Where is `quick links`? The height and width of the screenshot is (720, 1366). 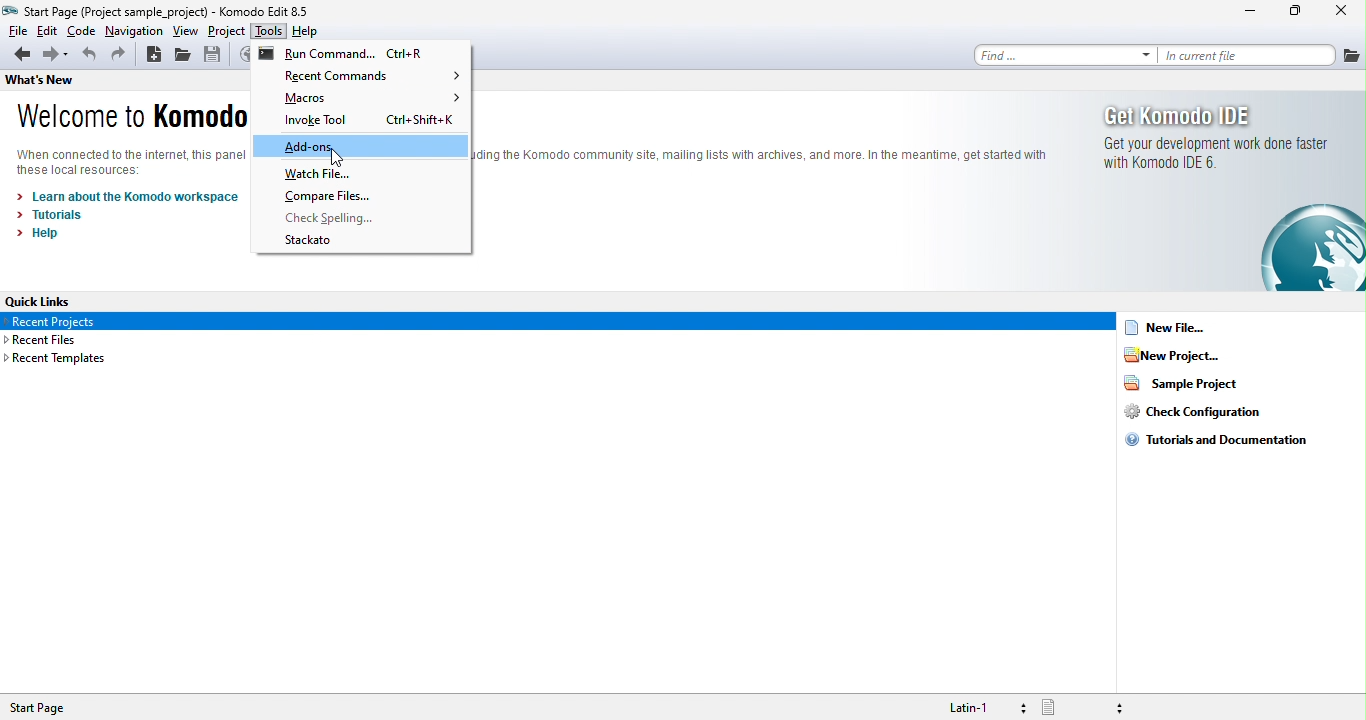
quick links is located at coordinates (41, 299).